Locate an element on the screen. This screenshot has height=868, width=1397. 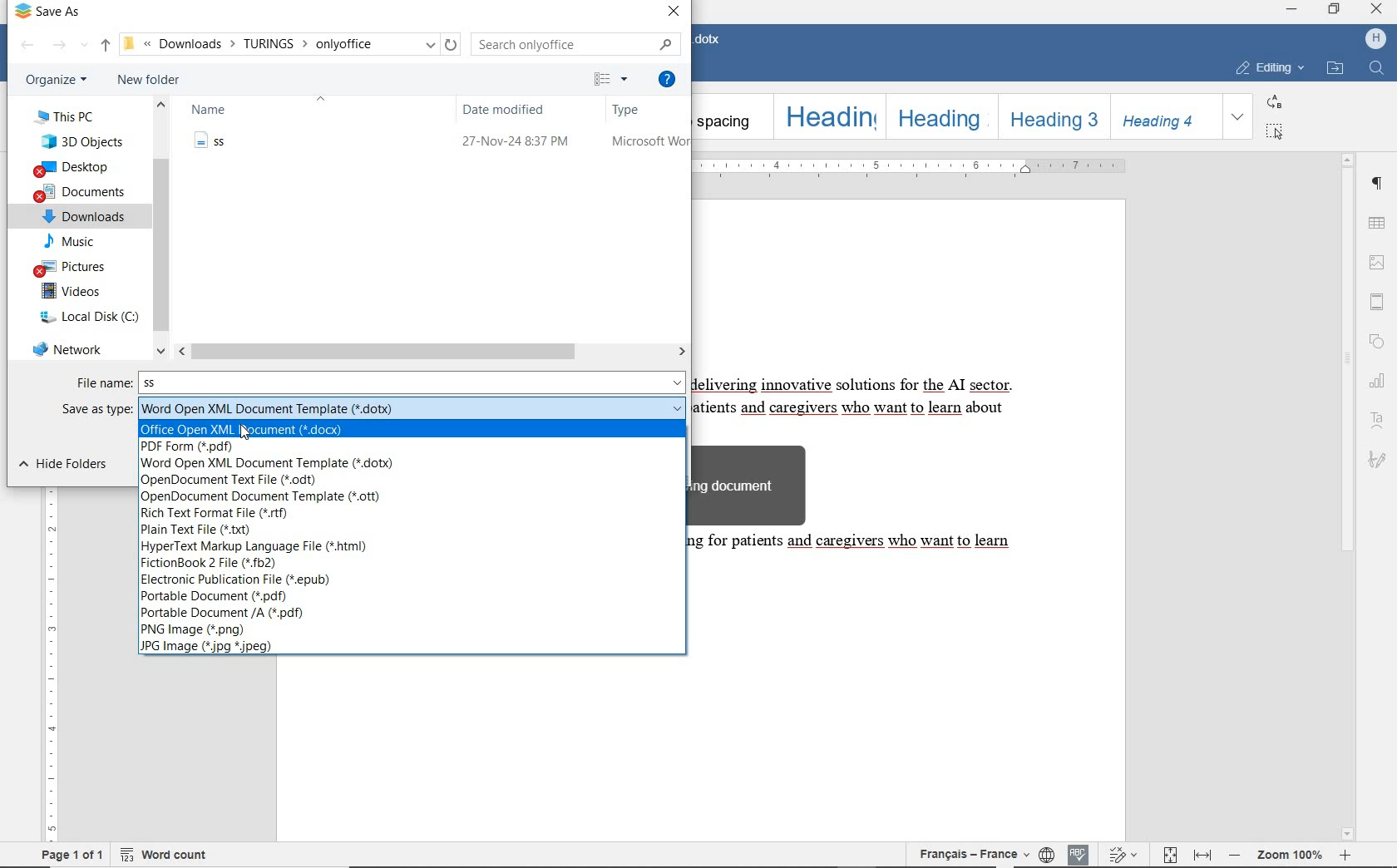
FILE NAME is located at coordinates (102, 383).